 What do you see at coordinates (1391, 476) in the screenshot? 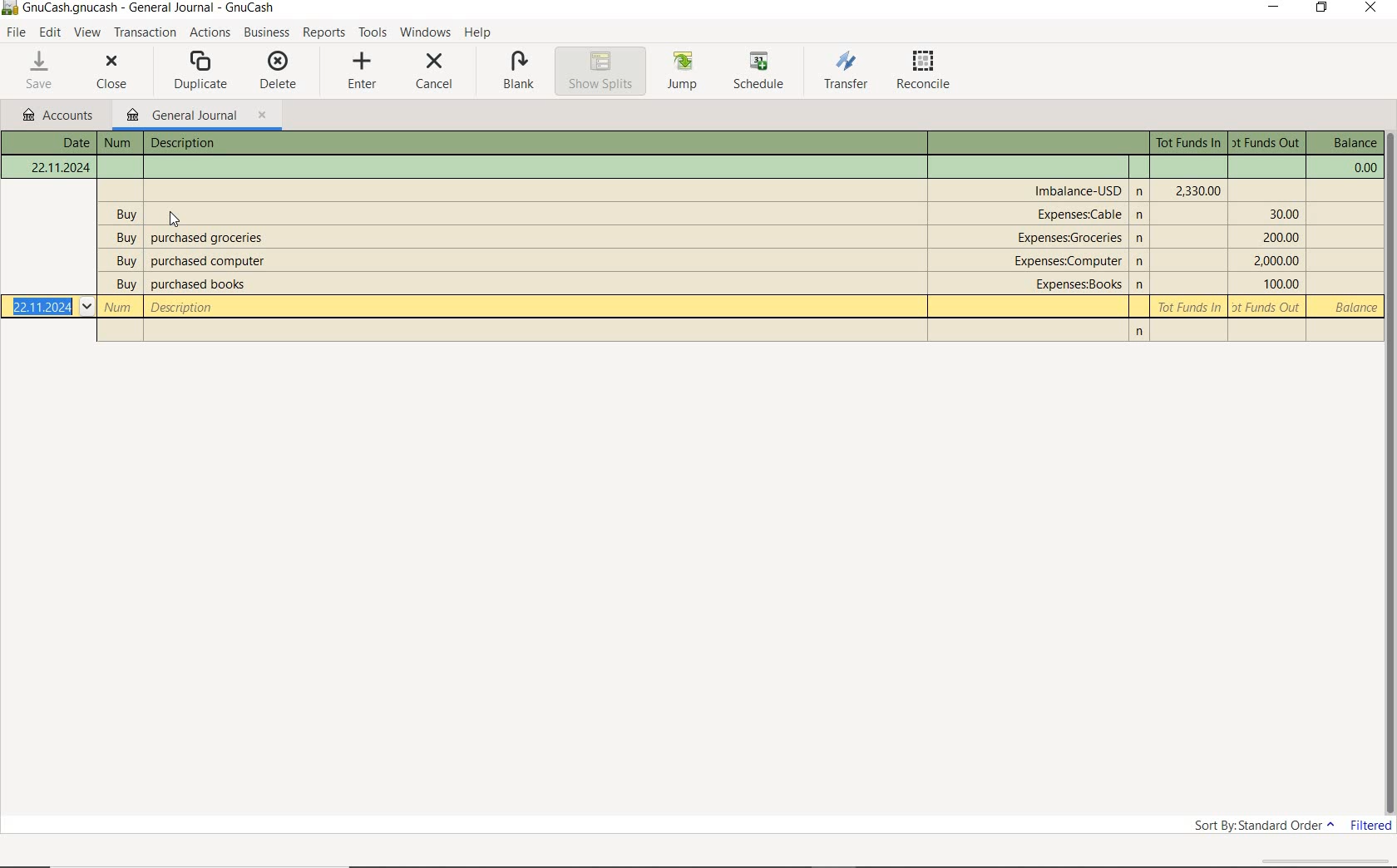
I see `Vertical slide bar` at bounding box center [1391, 476].